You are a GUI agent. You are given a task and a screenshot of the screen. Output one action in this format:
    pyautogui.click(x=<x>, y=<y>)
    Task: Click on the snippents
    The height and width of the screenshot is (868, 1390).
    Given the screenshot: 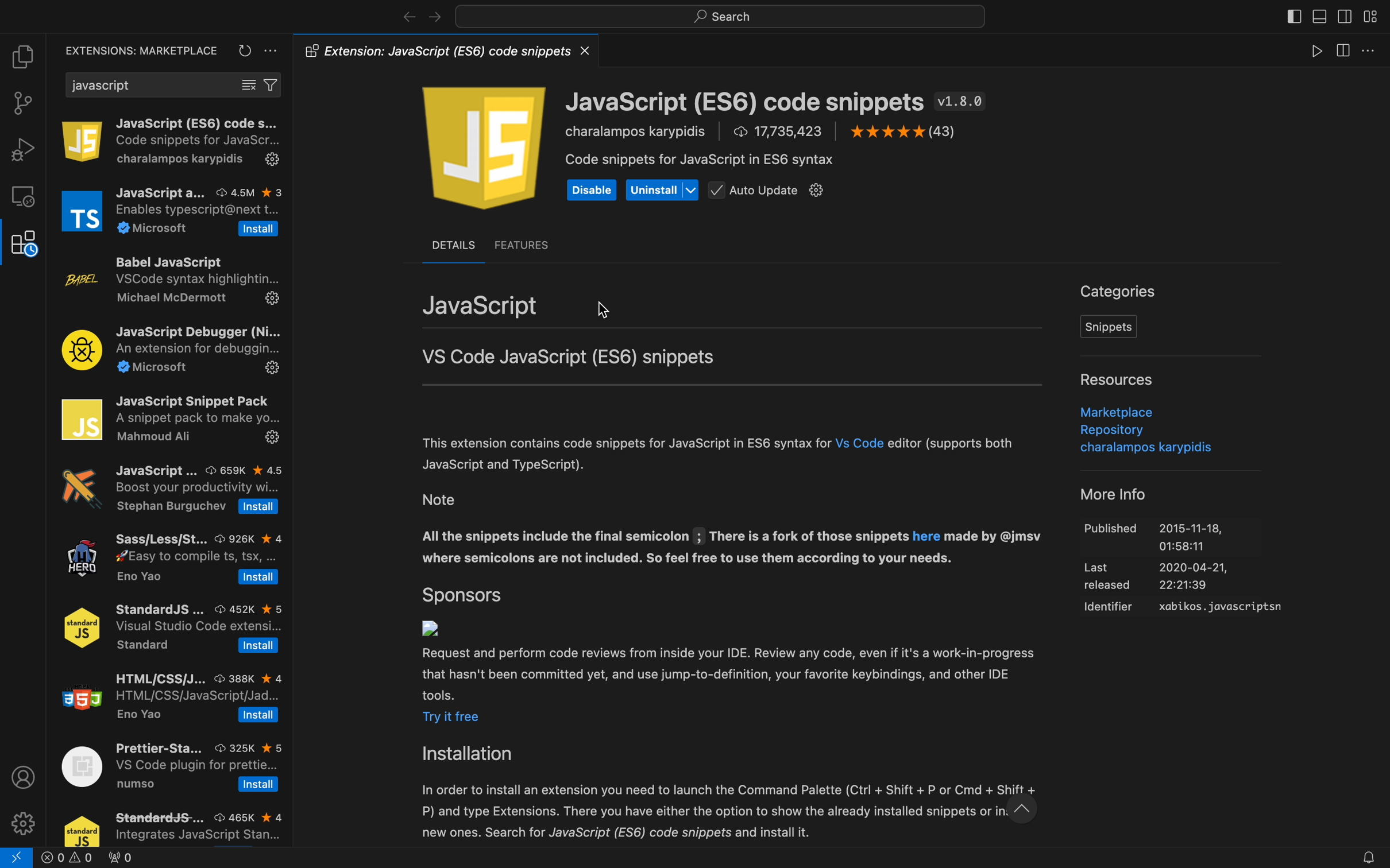 What is the action you would take?
    pyautogui.click(x=1109, y=328)
    